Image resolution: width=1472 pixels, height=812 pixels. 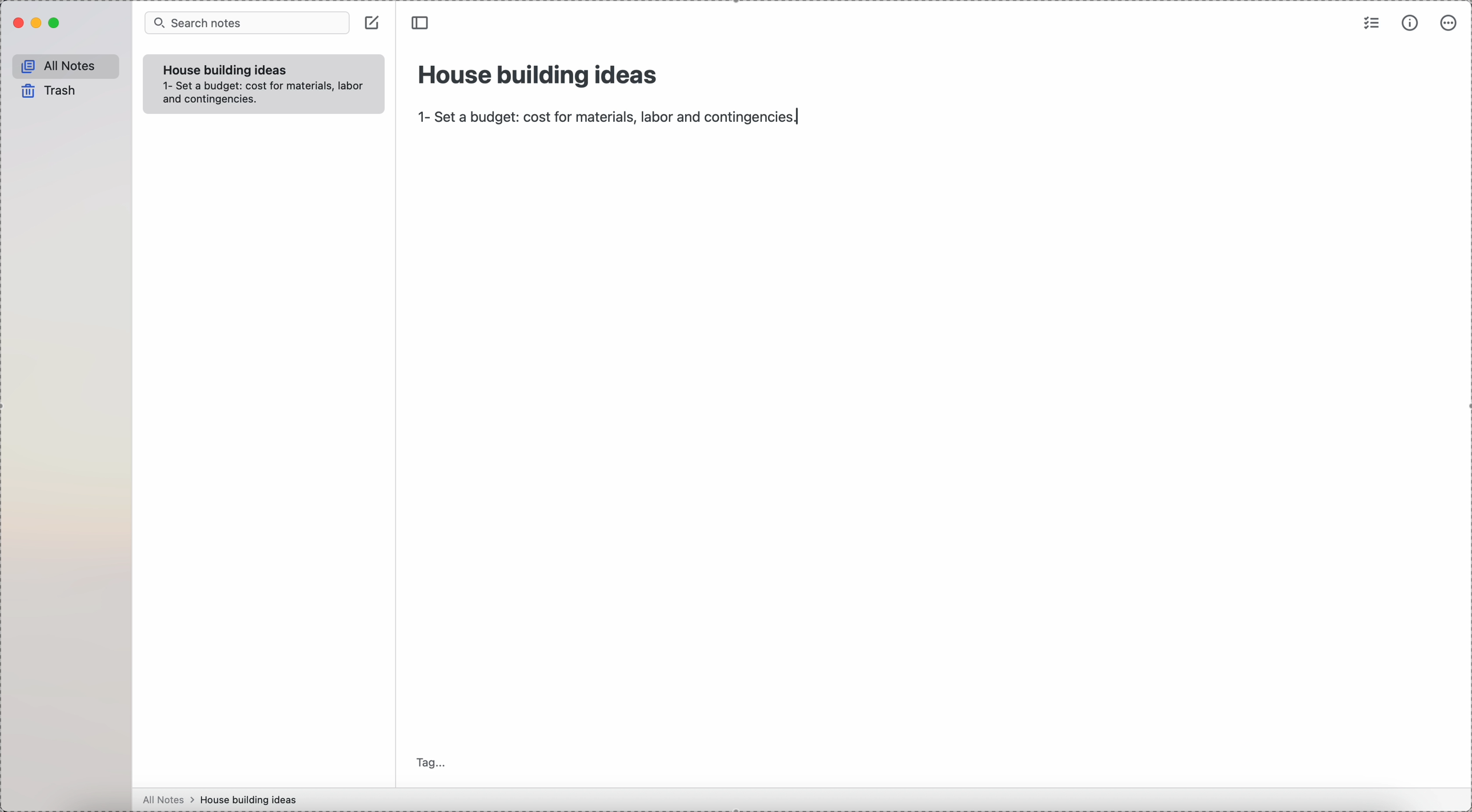 I want to click on create note, so click(x=374, y=26).